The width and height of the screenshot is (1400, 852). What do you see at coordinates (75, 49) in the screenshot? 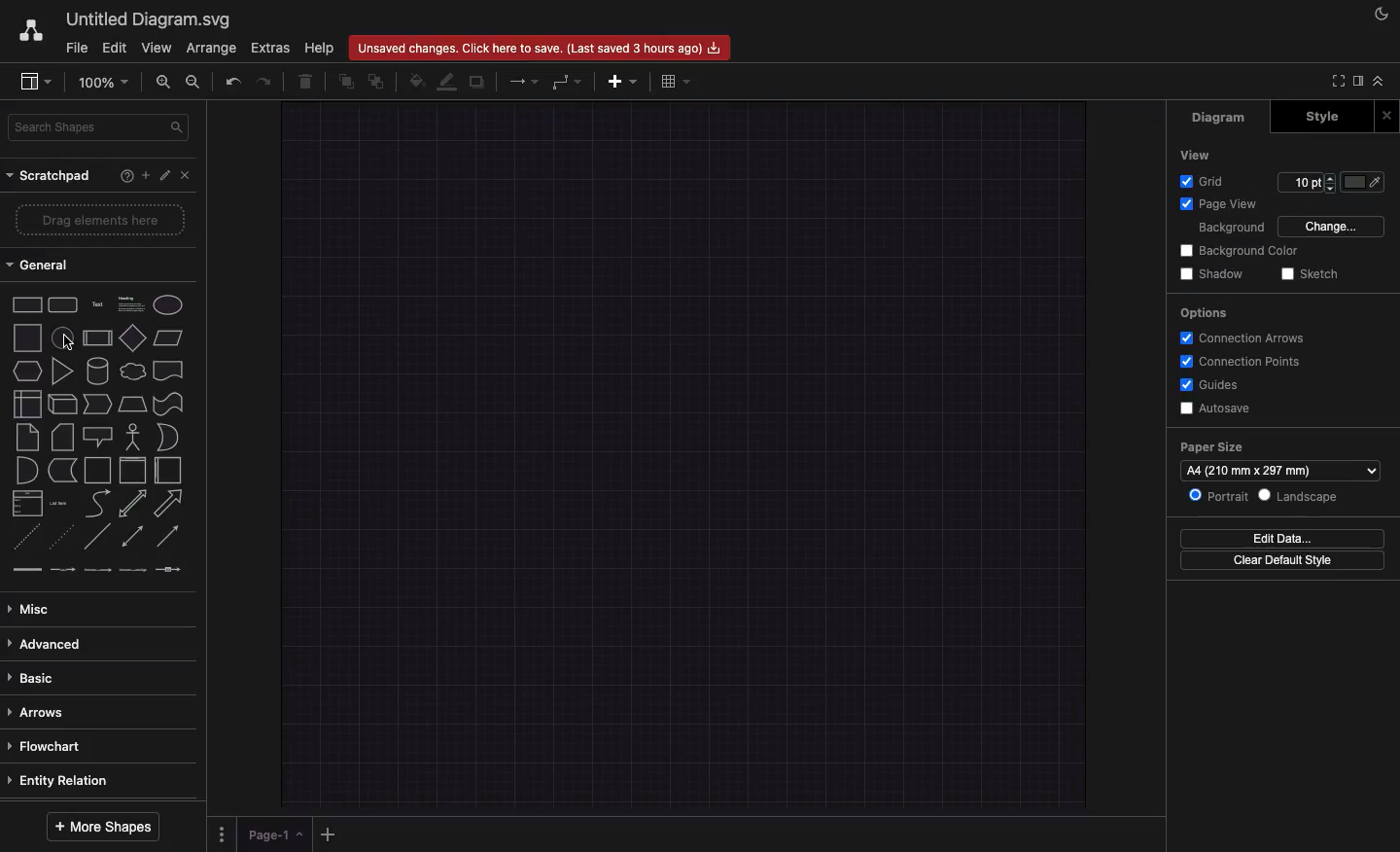
I see `File` at bounding box center [75, 49].